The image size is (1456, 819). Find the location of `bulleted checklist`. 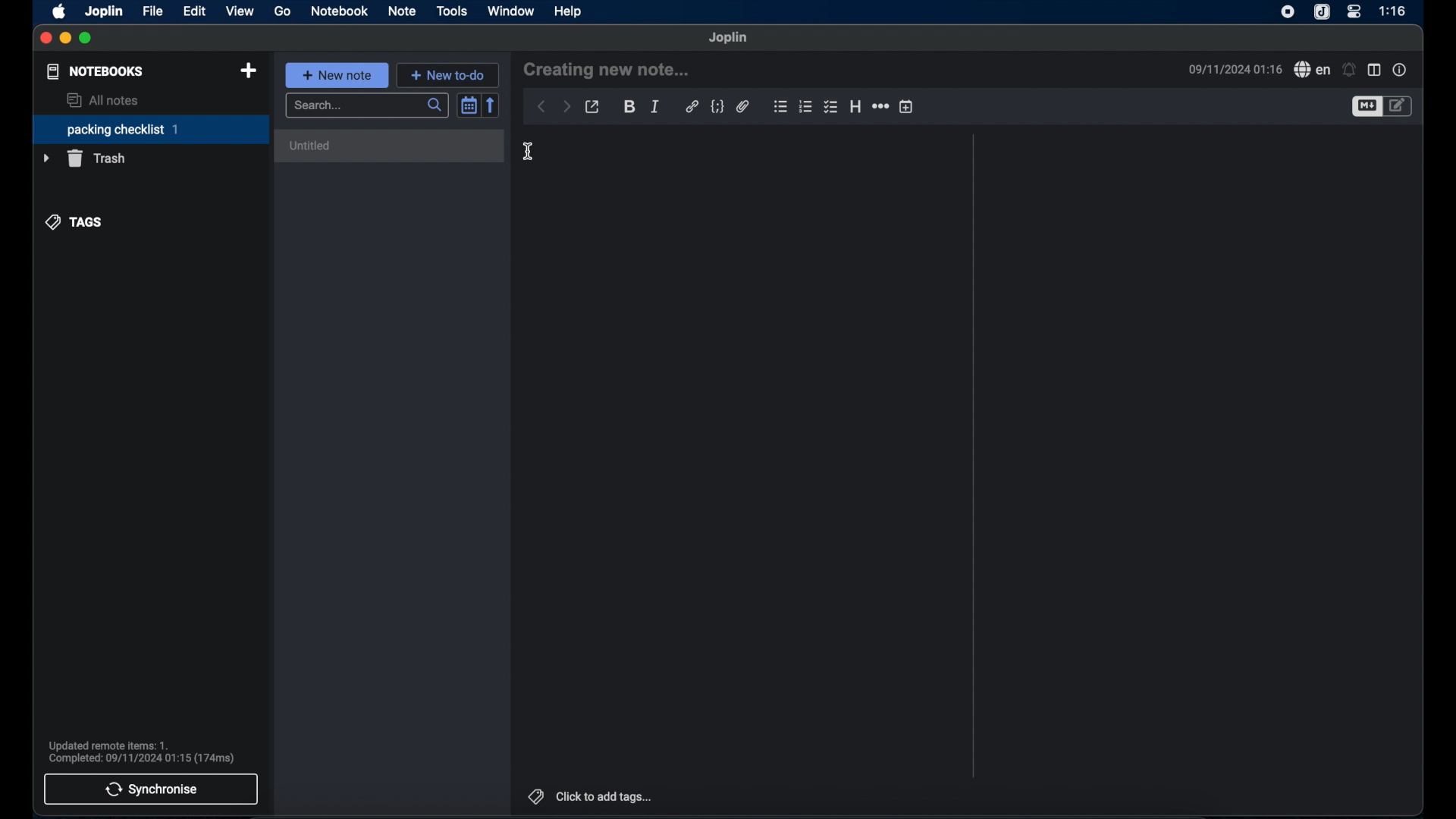

bulleted checklist is located at coordinates (830, 108).